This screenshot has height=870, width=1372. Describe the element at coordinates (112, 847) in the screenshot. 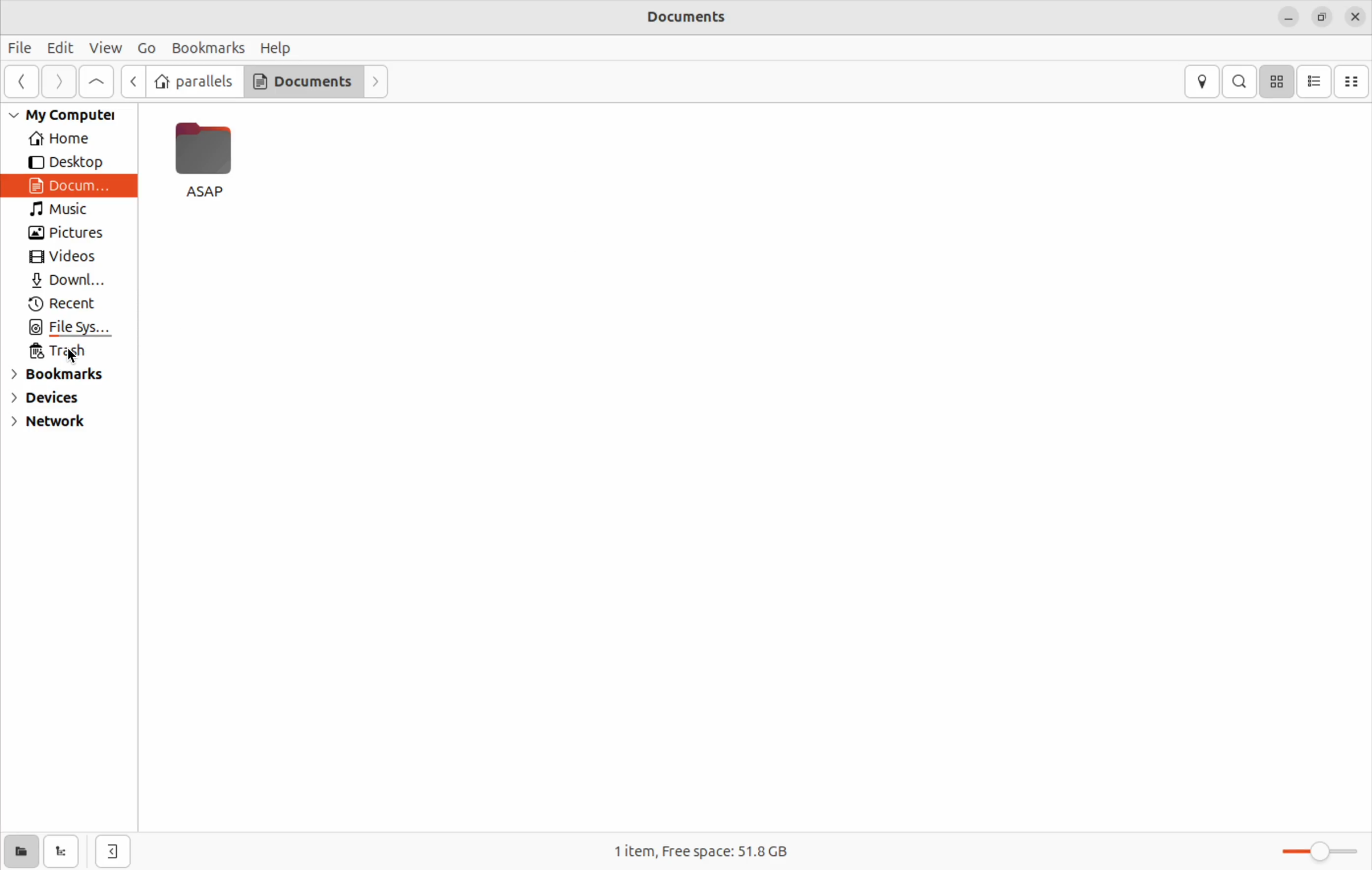

I see `close sidebar` at that location.